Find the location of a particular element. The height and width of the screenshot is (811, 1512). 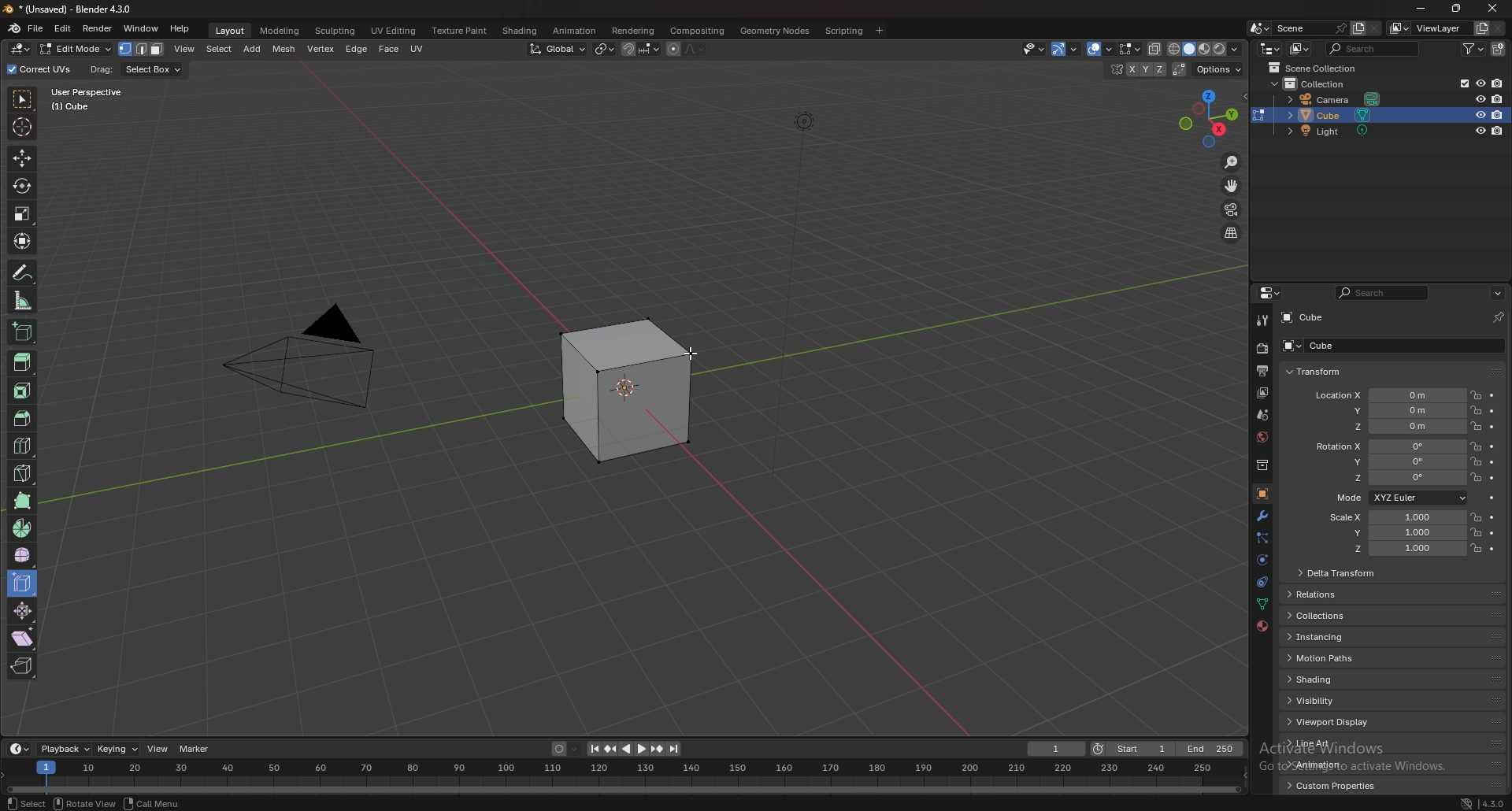

material is located at coordinates (1264, 624).